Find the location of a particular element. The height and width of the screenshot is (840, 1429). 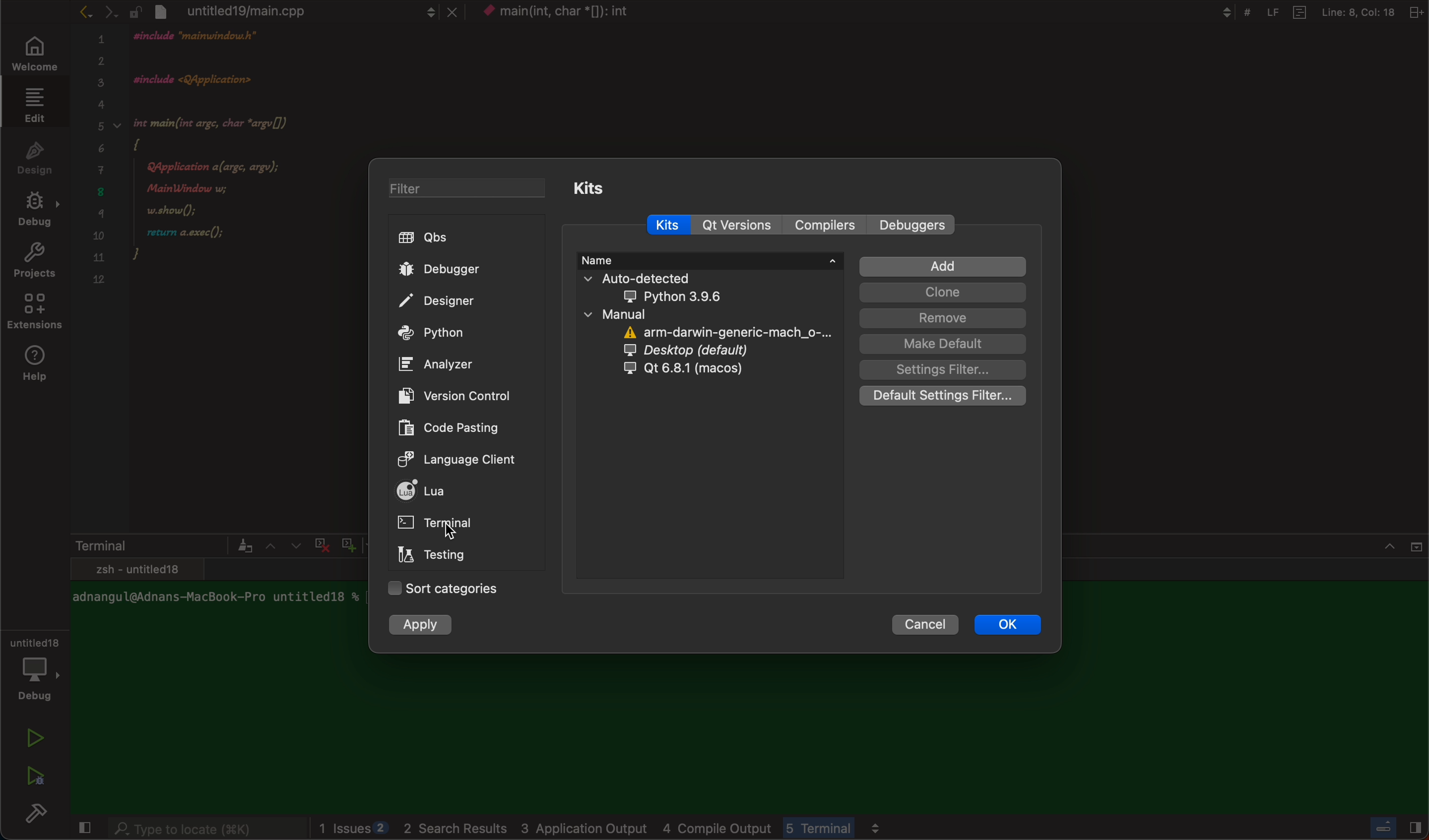

lua is located at coordinates (452, 493).